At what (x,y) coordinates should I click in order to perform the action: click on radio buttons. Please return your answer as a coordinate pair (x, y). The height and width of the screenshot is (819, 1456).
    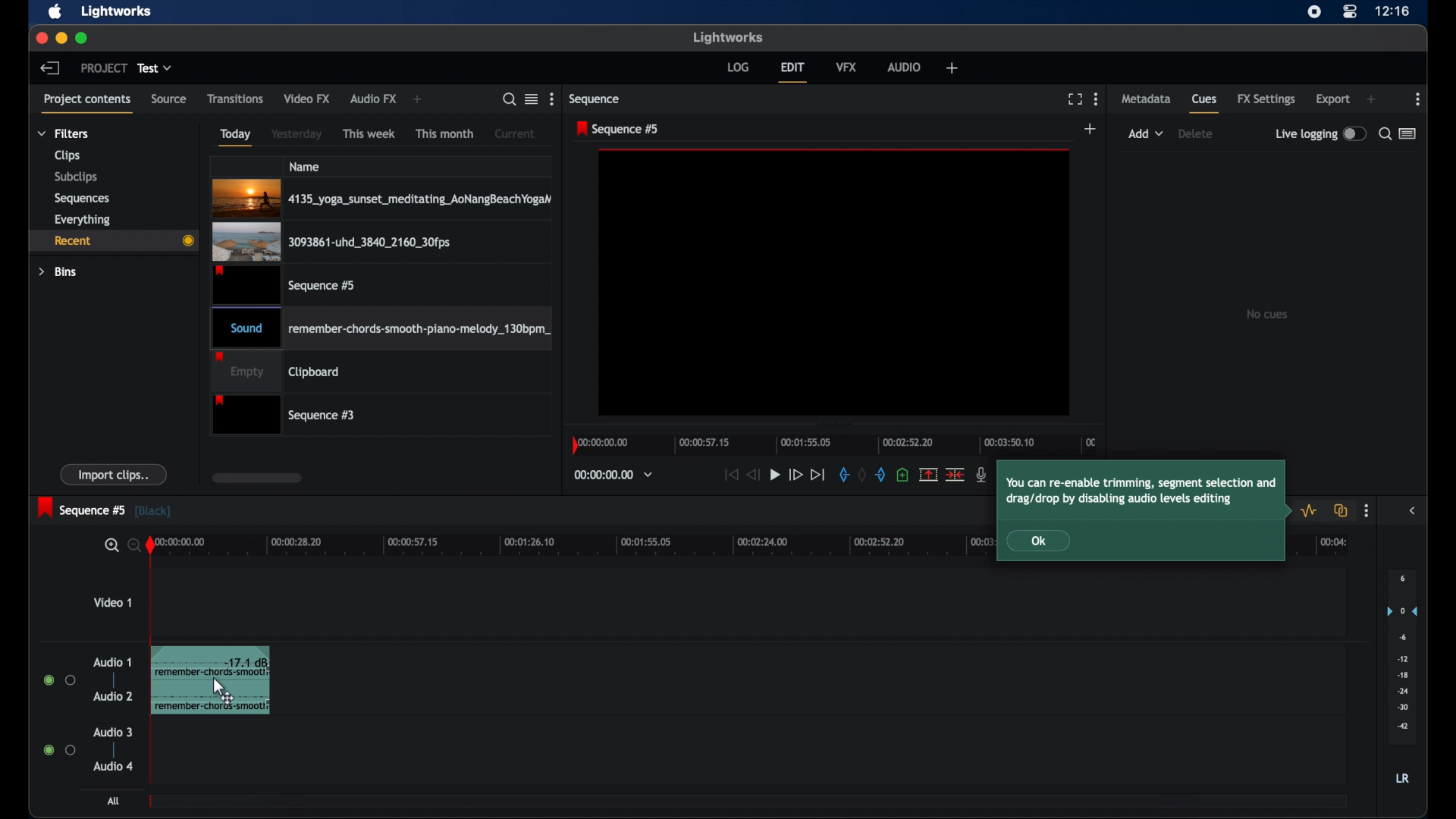
    Looking at the image, I should click on (60, 680).